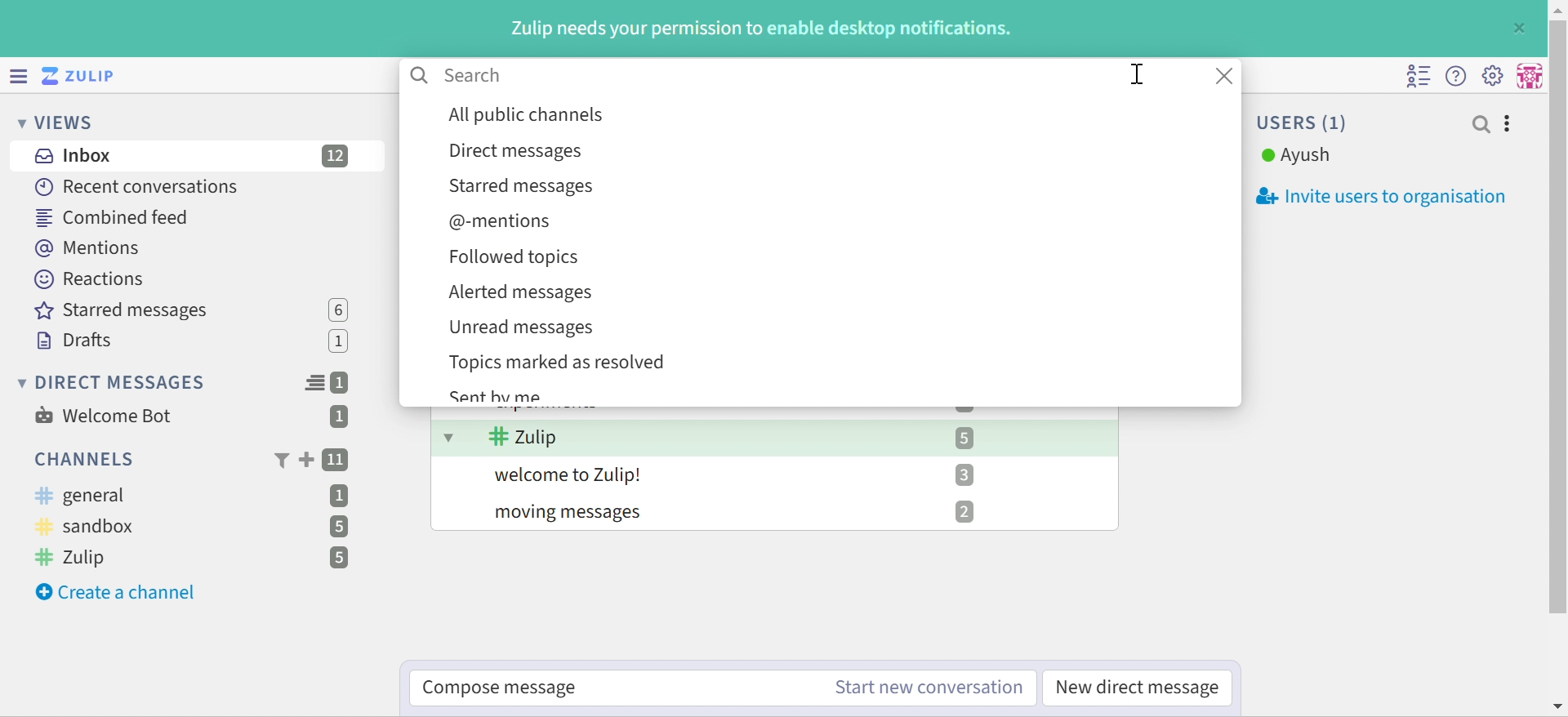  Describe the element at coordinates (82, 459) in the screenshot. I see `Channels` at that location.